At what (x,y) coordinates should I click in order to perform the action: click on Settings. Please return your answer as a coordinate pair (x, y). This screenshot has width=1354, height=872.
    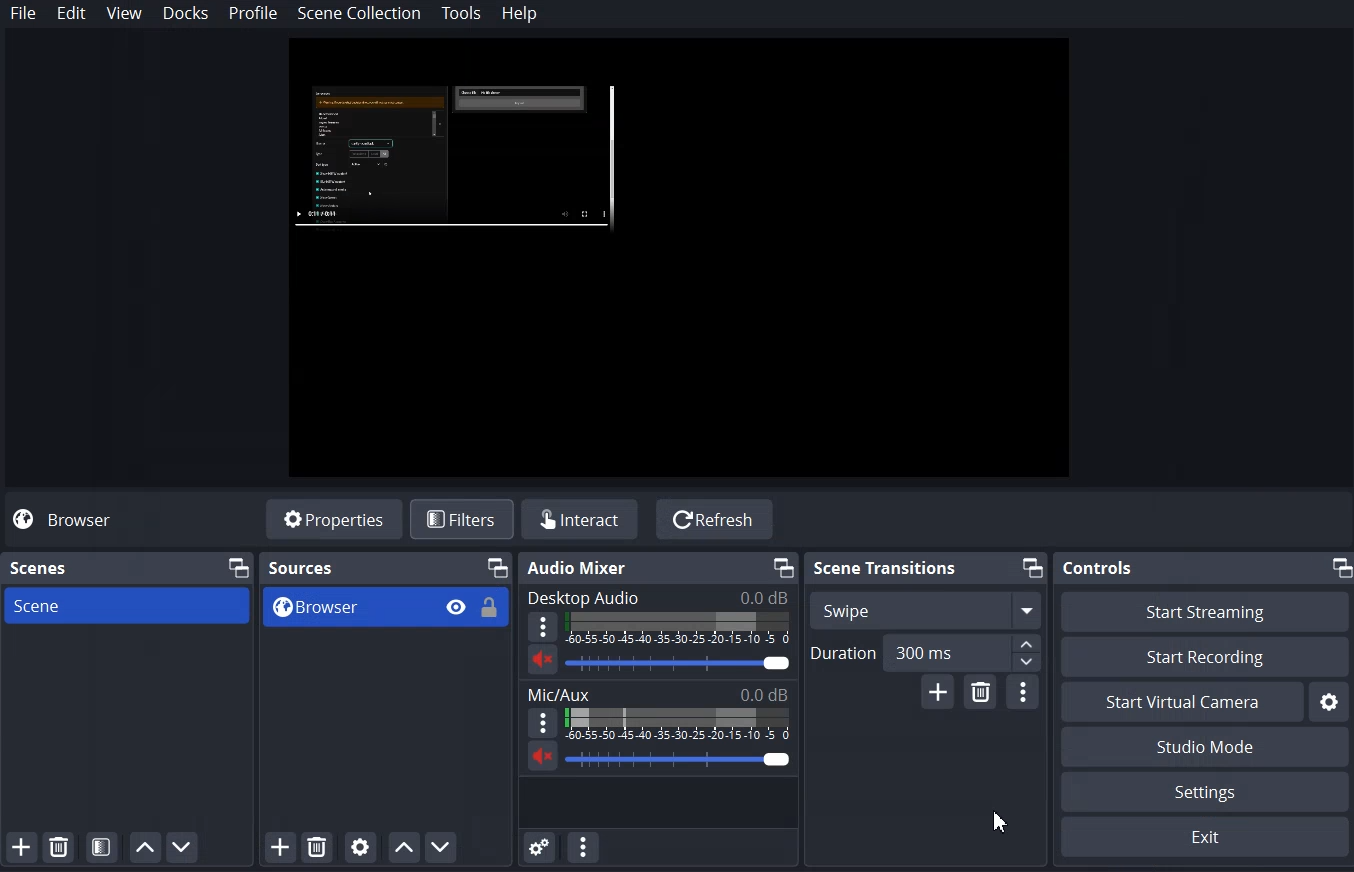
    Looking at the image, I should click on (1206, 791).